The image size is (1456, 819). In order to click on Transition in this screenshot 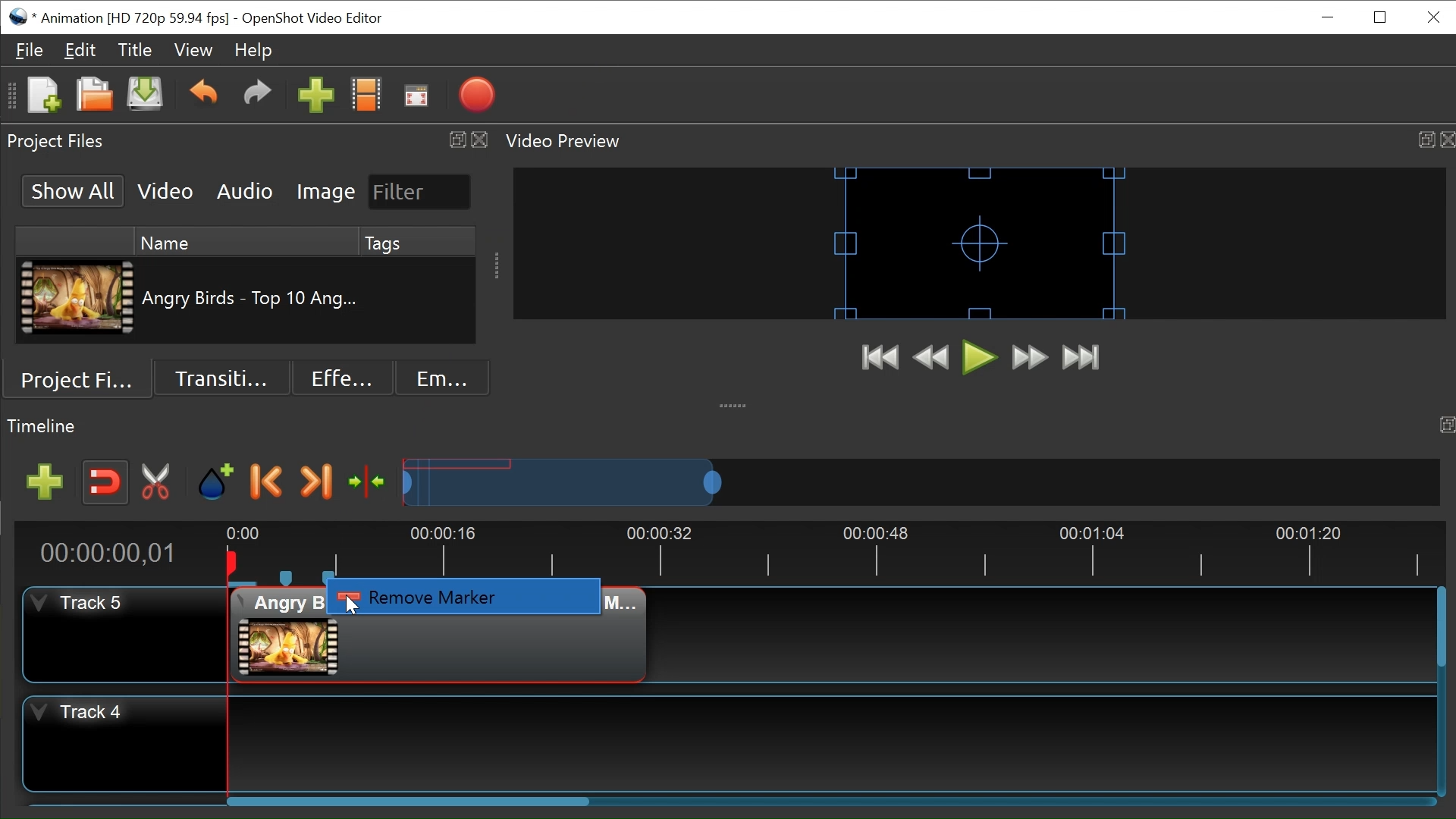, I will do `click(221, 378)`.